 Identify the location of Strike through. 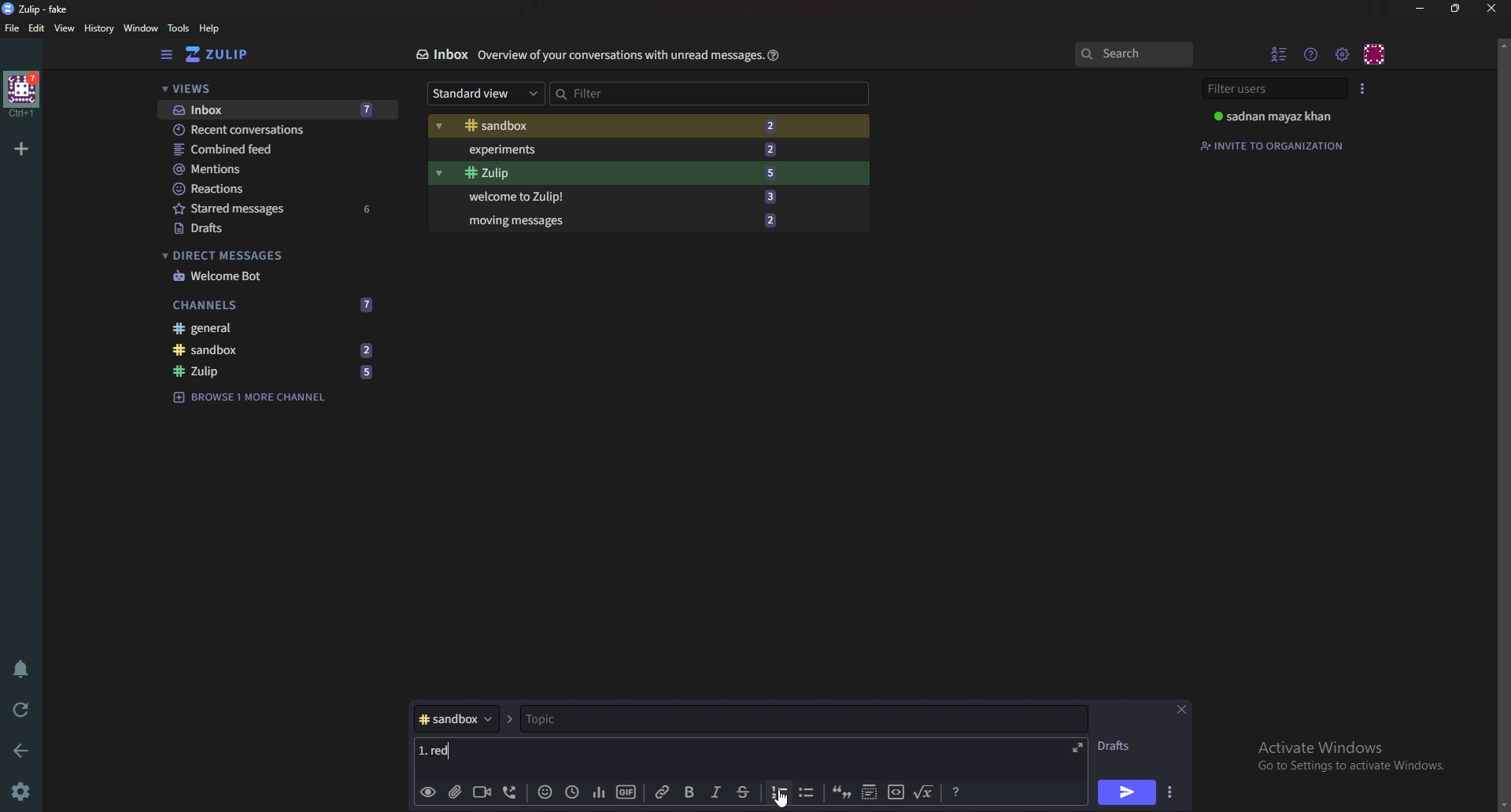
(744, 792).